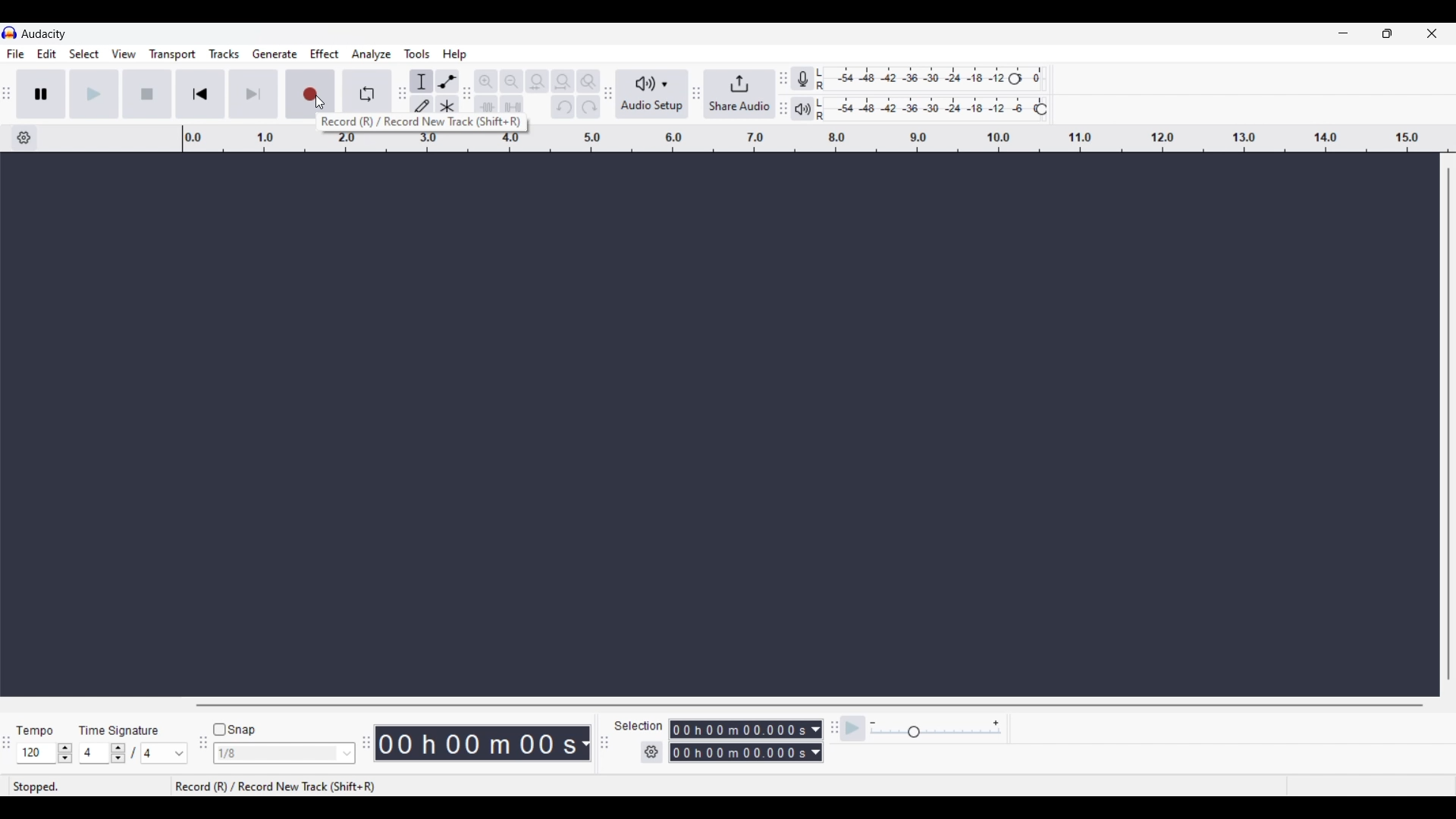 The image size is (1456, 819). What do you see at coordinates (277, 754) in the screenshot?
I see `1/8` at bounding box center [277, 754].